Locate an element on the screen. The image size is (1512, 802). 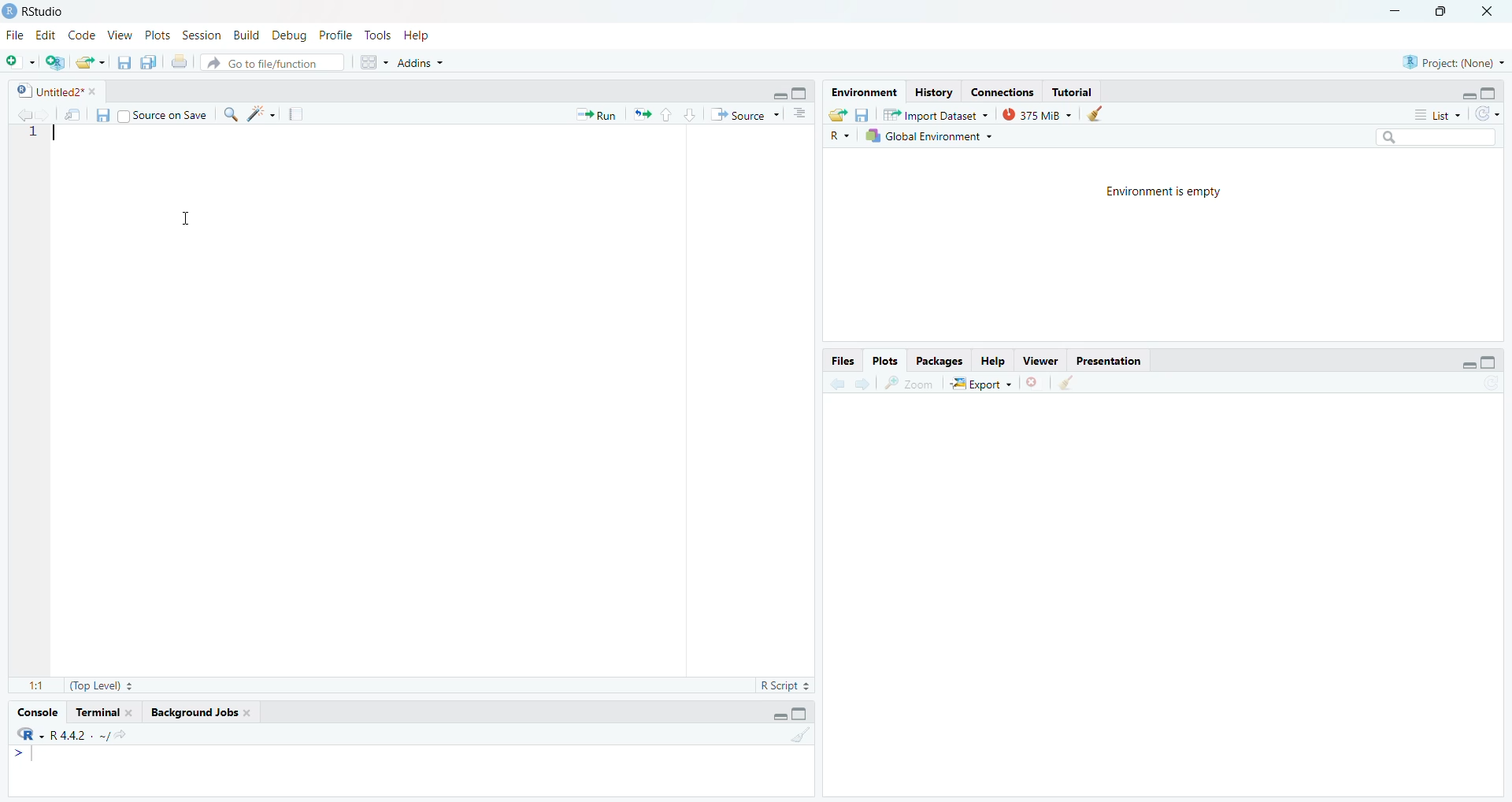
List  is located at coordinates (1432, 113).